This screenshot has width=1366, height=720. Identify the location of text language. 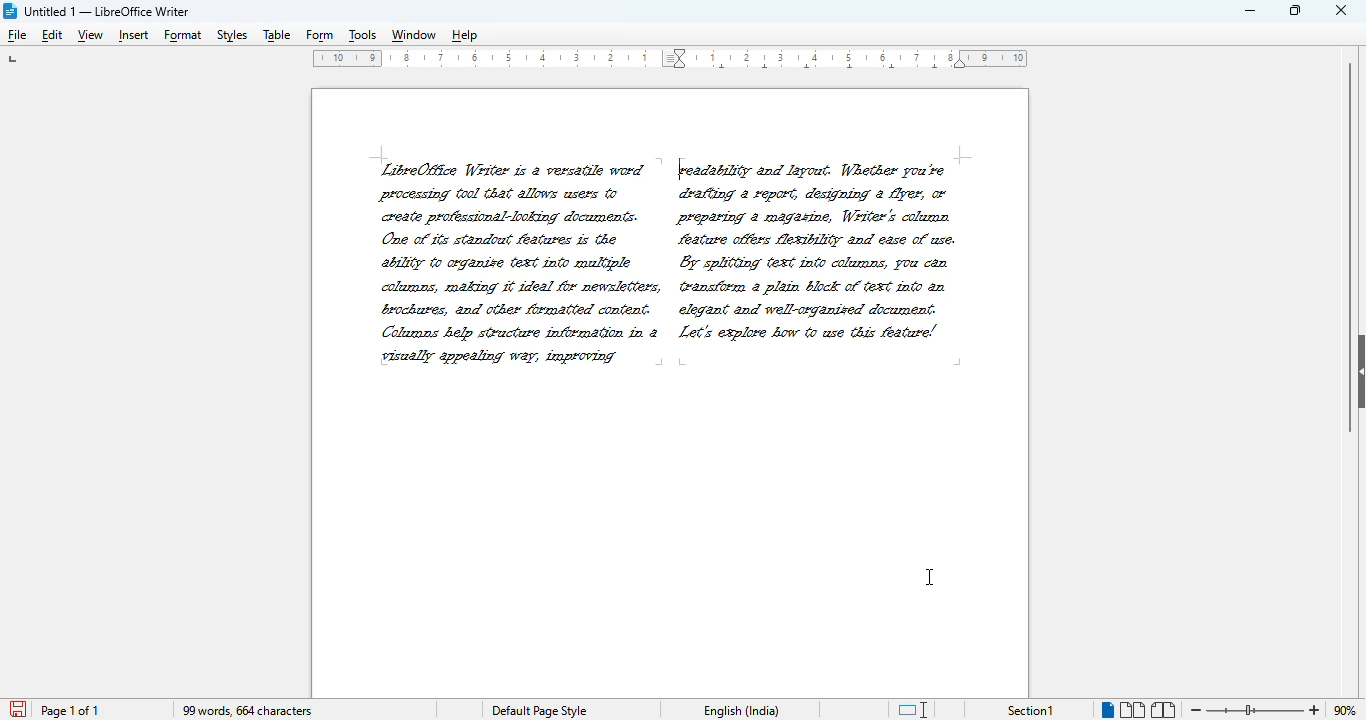
(743, 710).